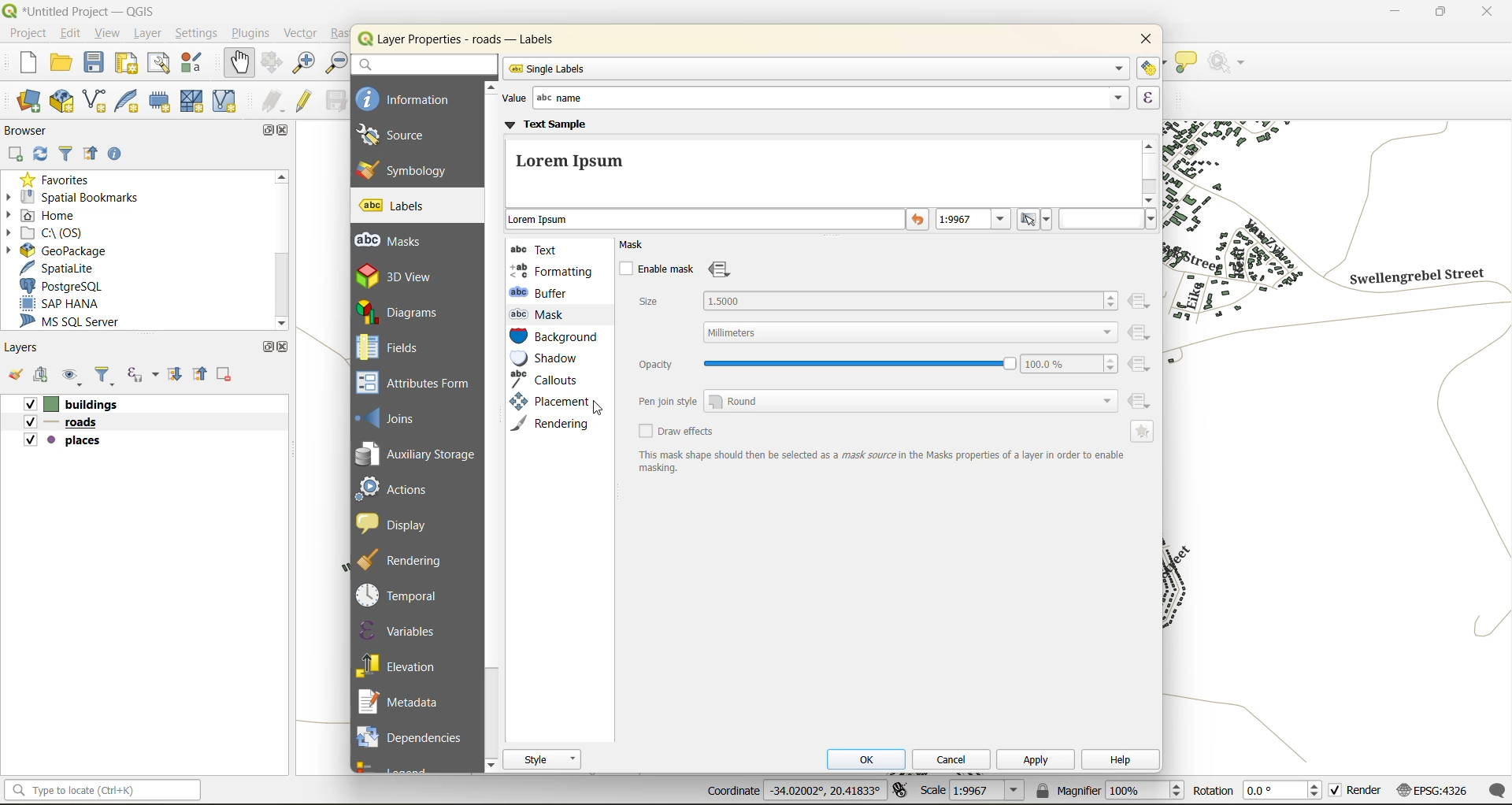 Image resolution: width=1512 pixels, height=805 pixels. What do you see at coordinates (146, 35) in the screenshot?
I see `layer` at bounding box center [146, 35].